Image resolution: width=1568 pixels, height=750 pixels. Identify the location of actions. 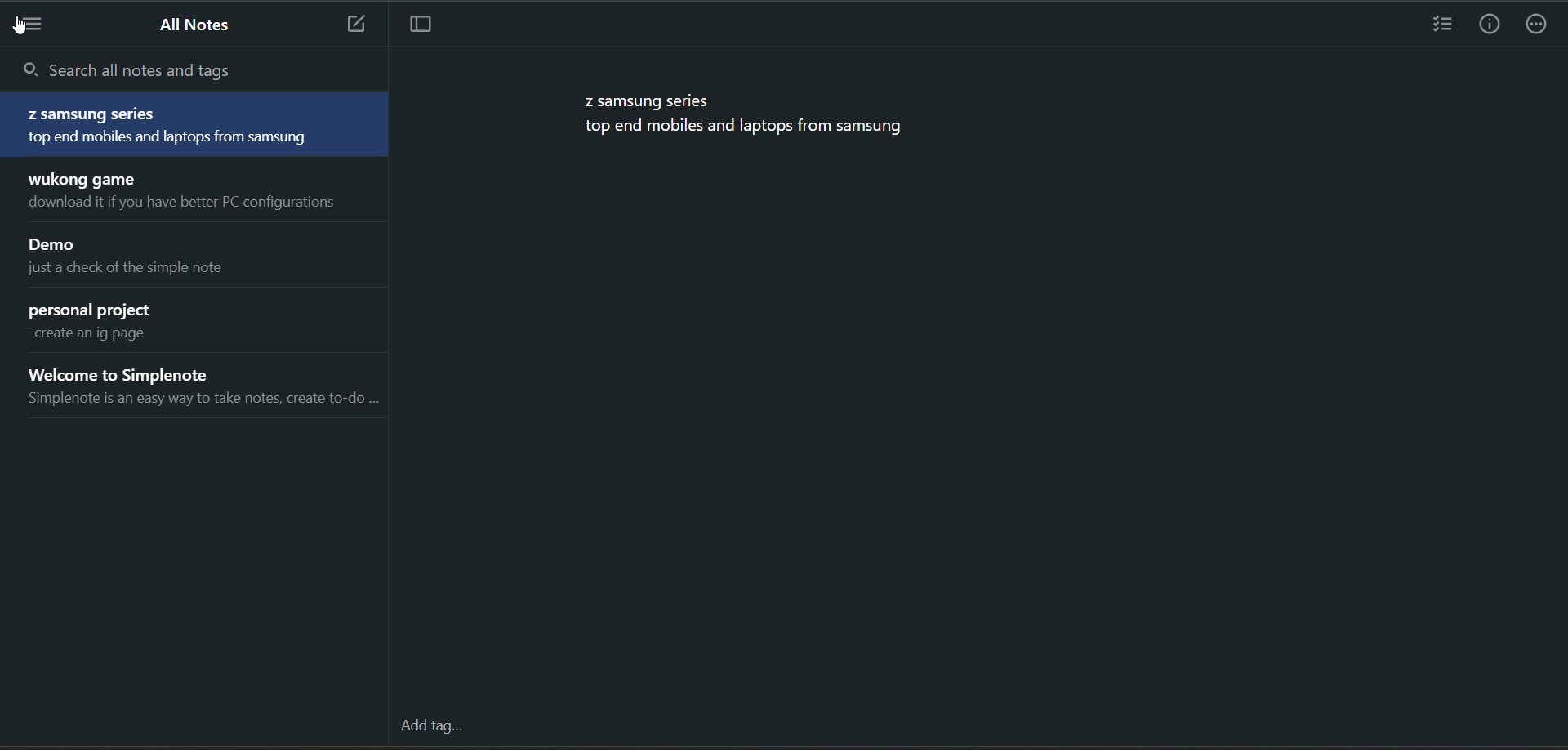
(1539, 25).